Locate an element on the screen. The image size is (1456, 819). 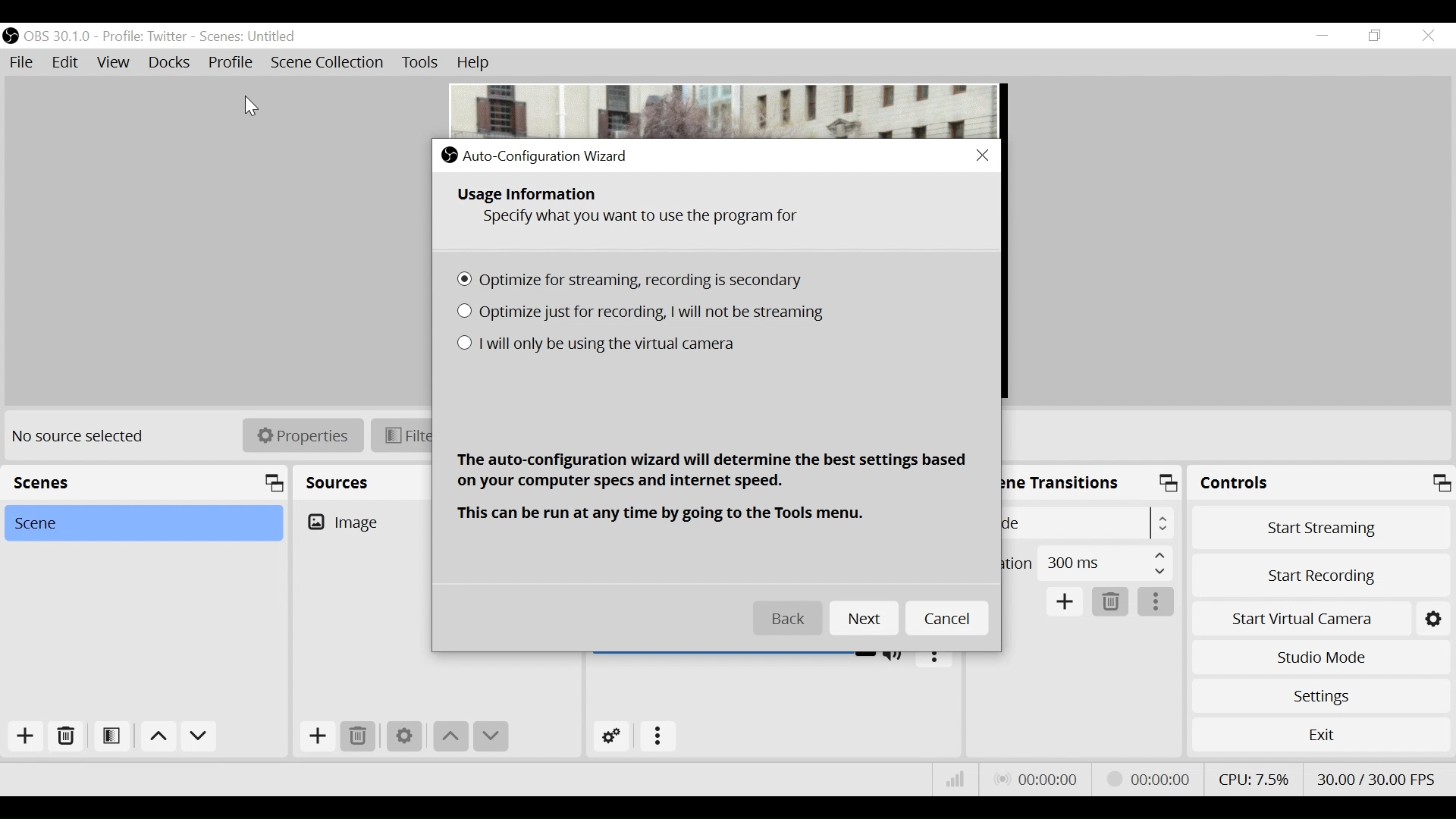
Settings is located at coordinates (403, 737).